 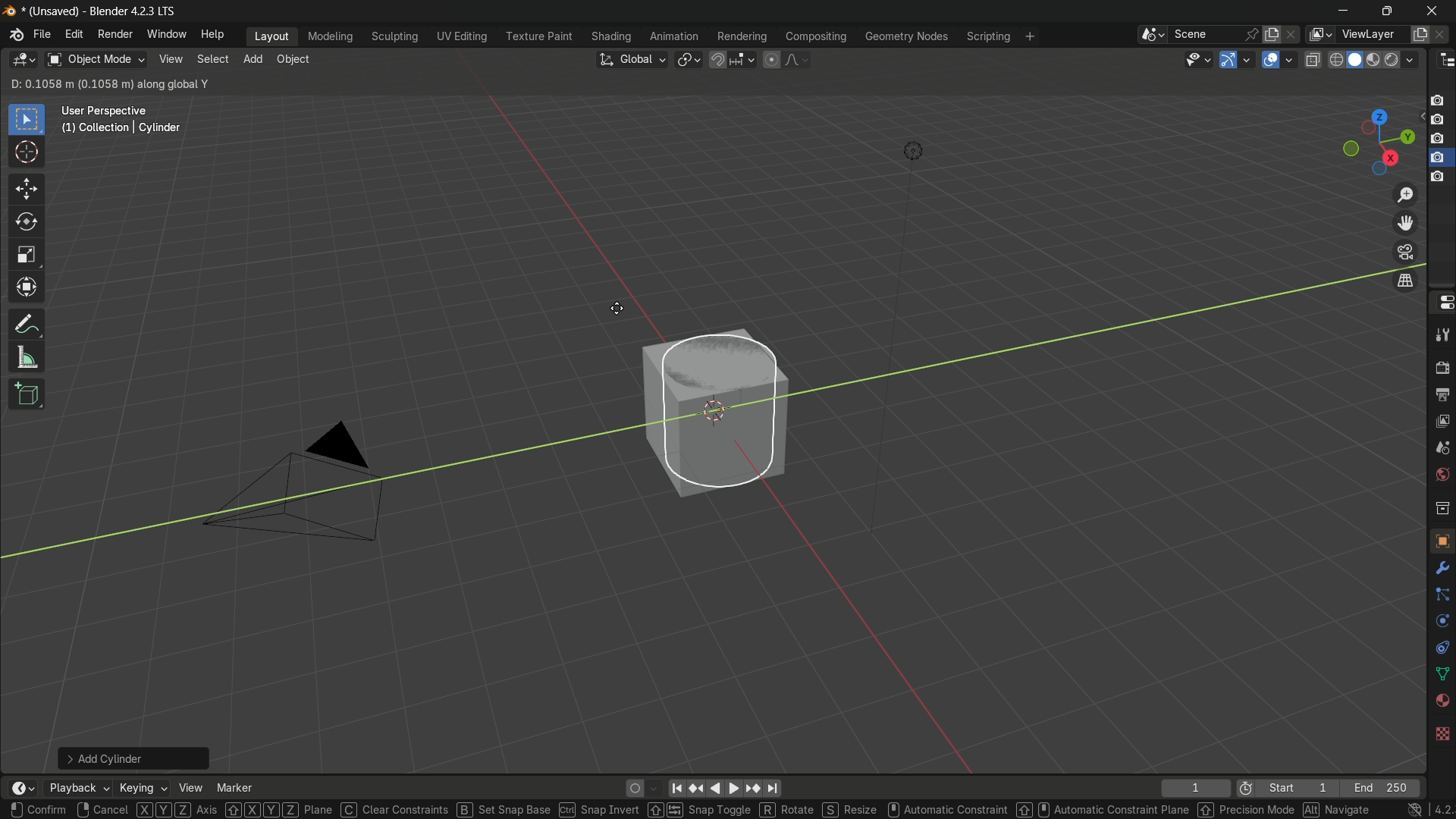 I want to click on shading menu, so click(x=613, y=37).